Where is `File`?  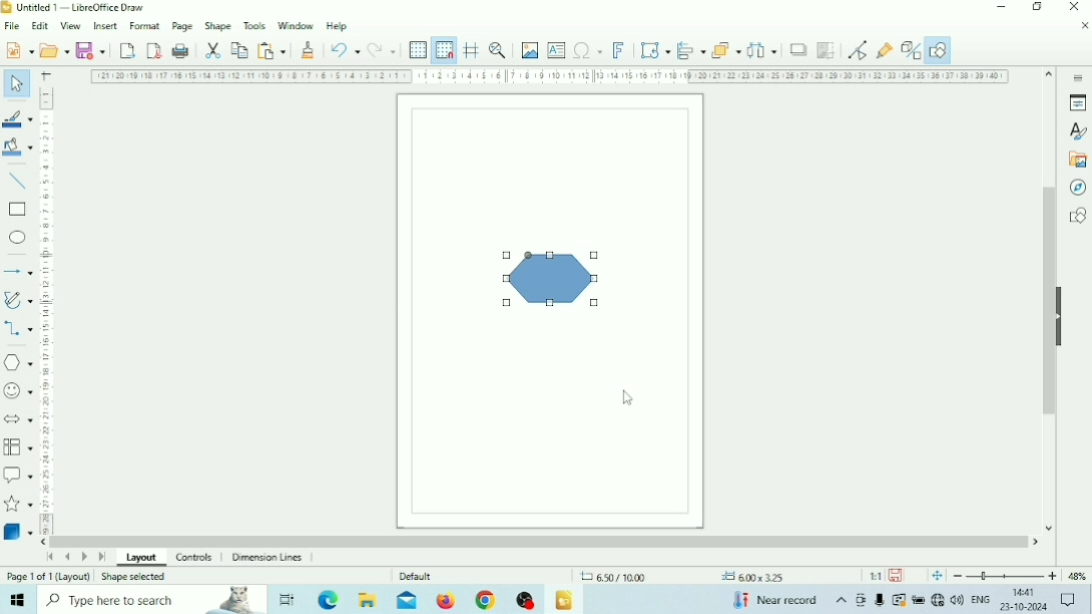
File is located at coordinates (13, 26).